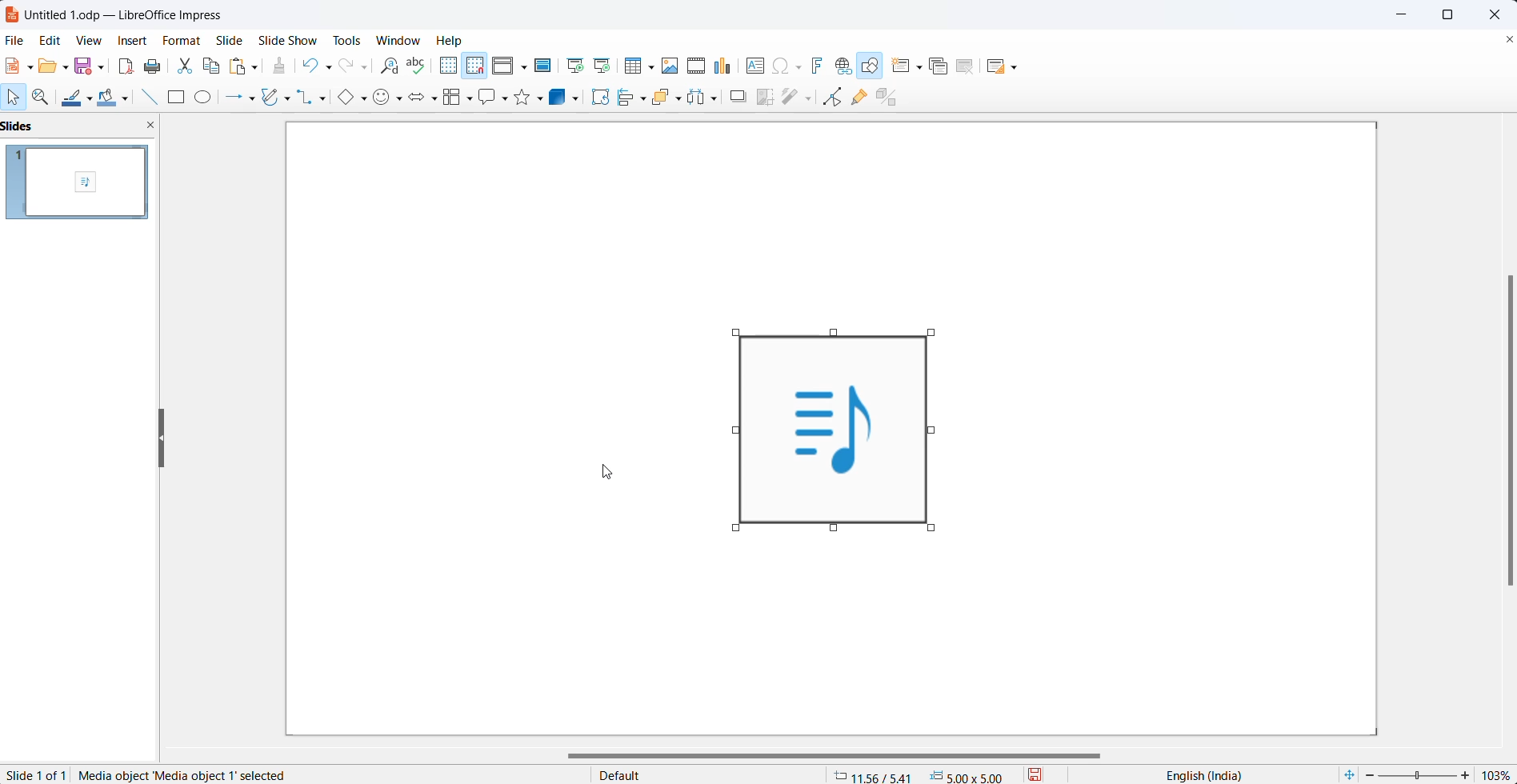 The image size is (1517, 784). Describe the element at coordinates (664, 100) in the screenshot. I see `arrange` at that location.